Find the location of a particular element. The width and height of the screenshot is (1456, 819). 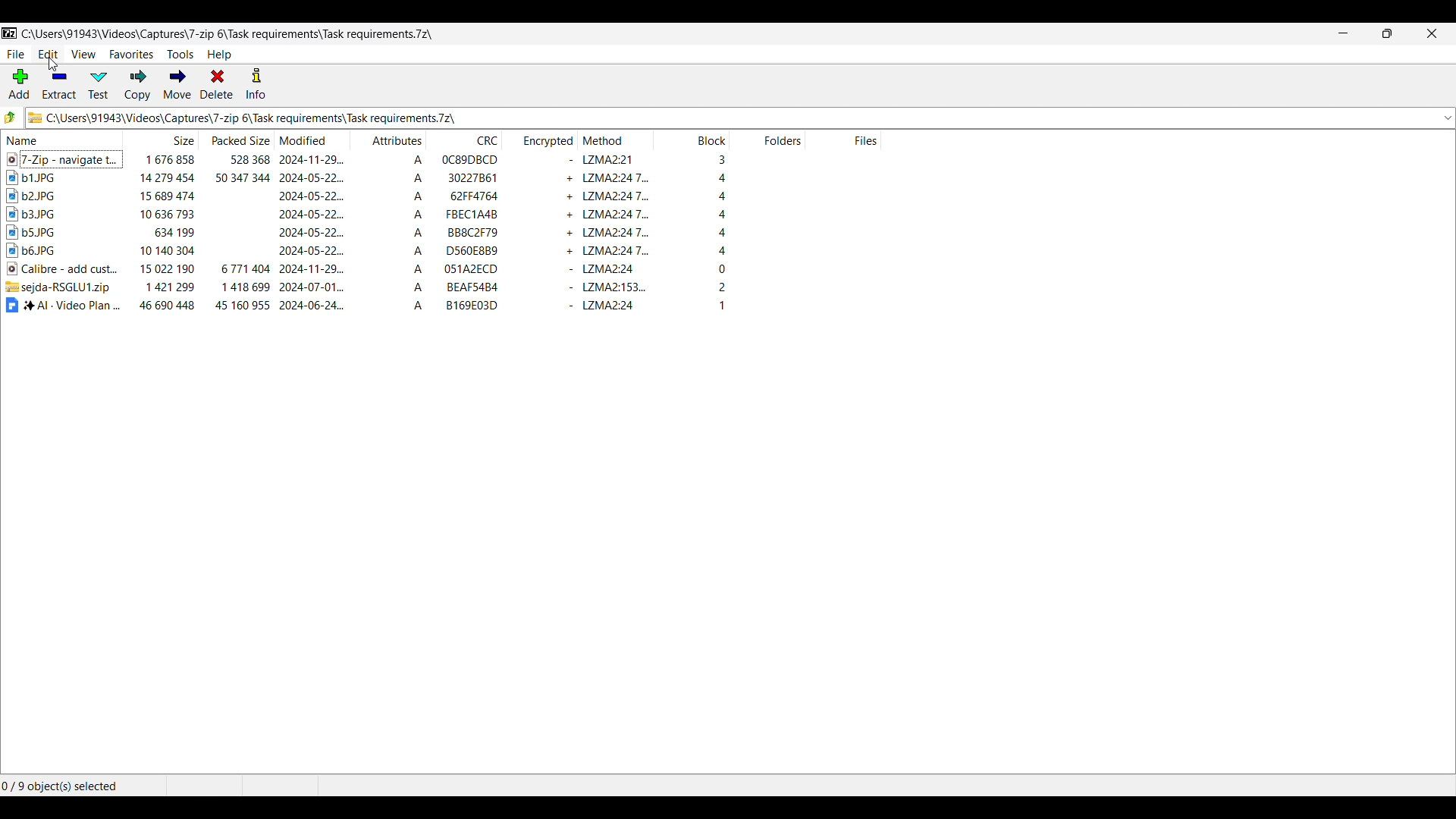

document file is located at coordinates (64, 305).